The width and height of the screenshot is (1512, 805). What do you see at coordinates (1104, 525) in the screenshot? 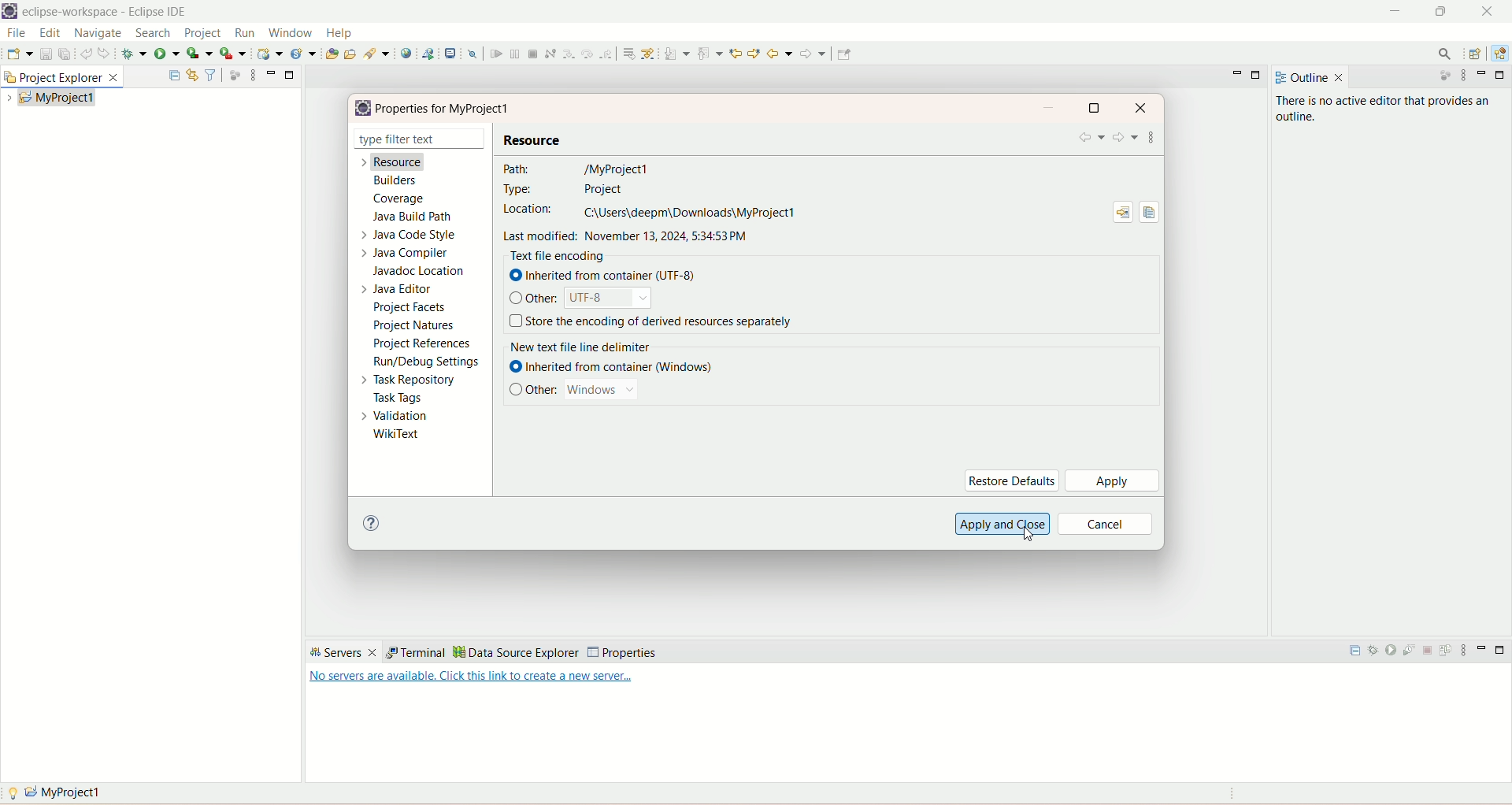
I see `cancel` at bounding box center [1104, 525].